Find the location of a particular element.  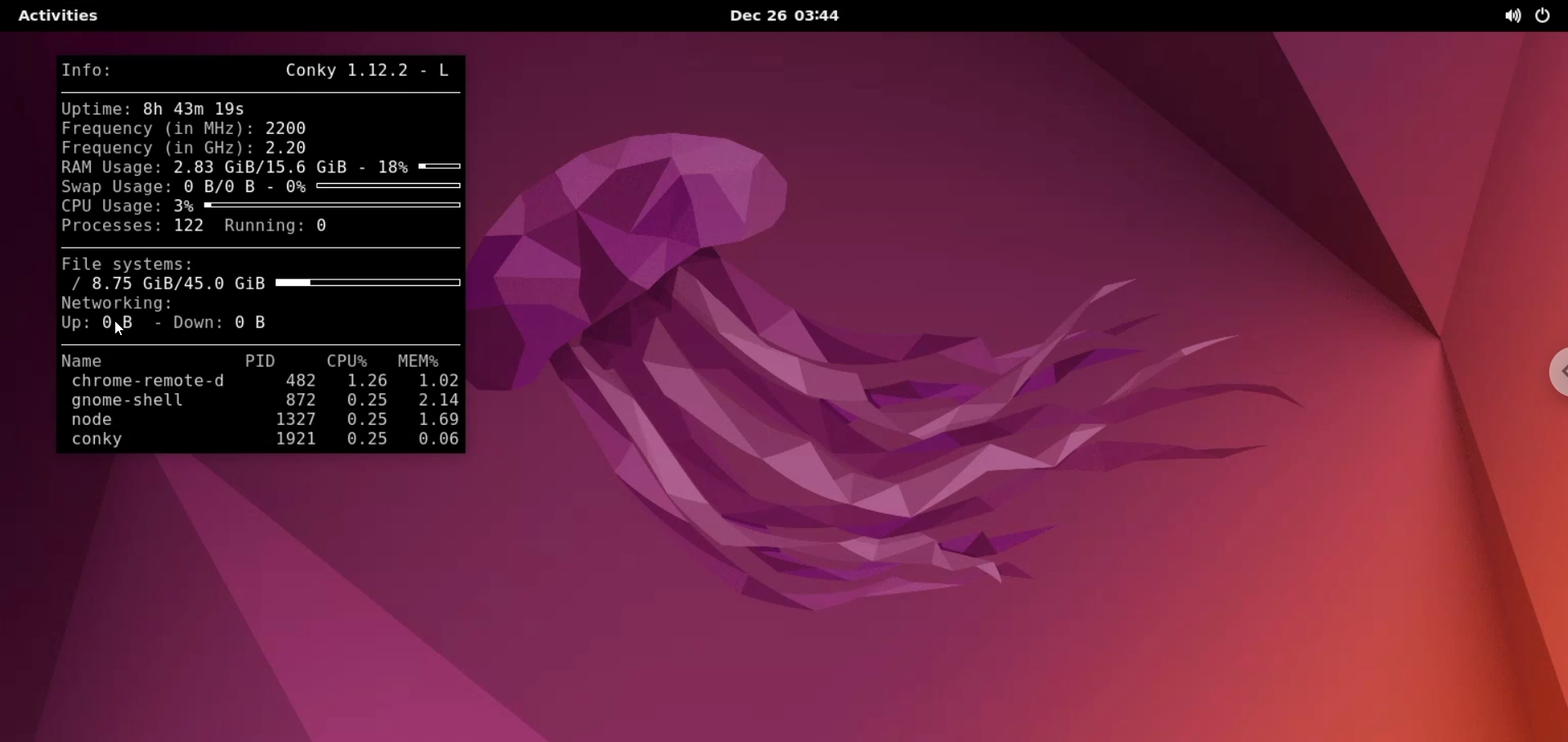

frequency (in MHz): is located at coordinates (155, 127).